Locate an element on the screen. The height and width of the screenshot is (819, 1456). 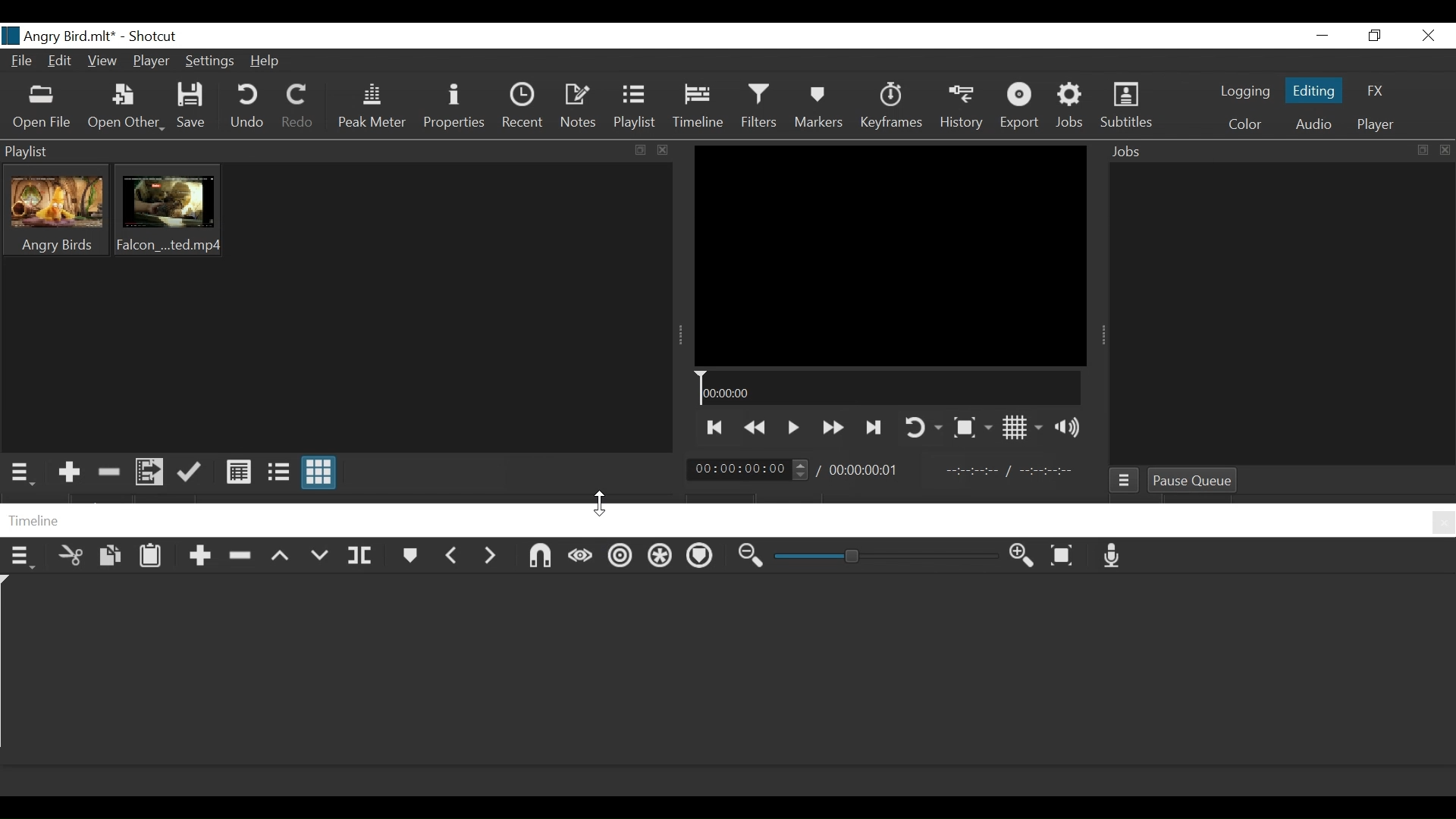
Split at playhead is located at coordinates (362, 558).